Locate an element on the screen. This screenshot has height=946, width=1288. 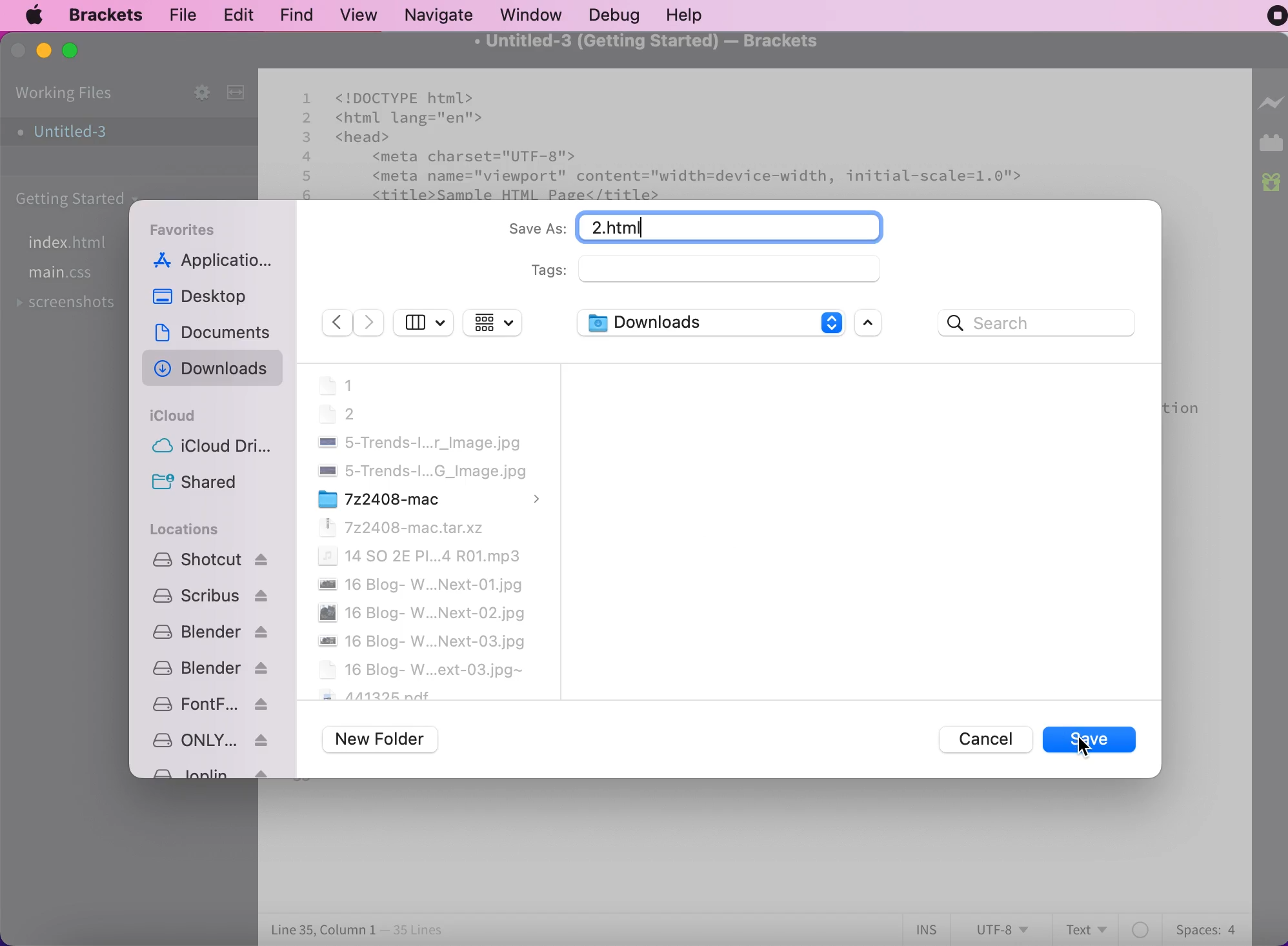
extension manager is located at coordinates (1271, 142).